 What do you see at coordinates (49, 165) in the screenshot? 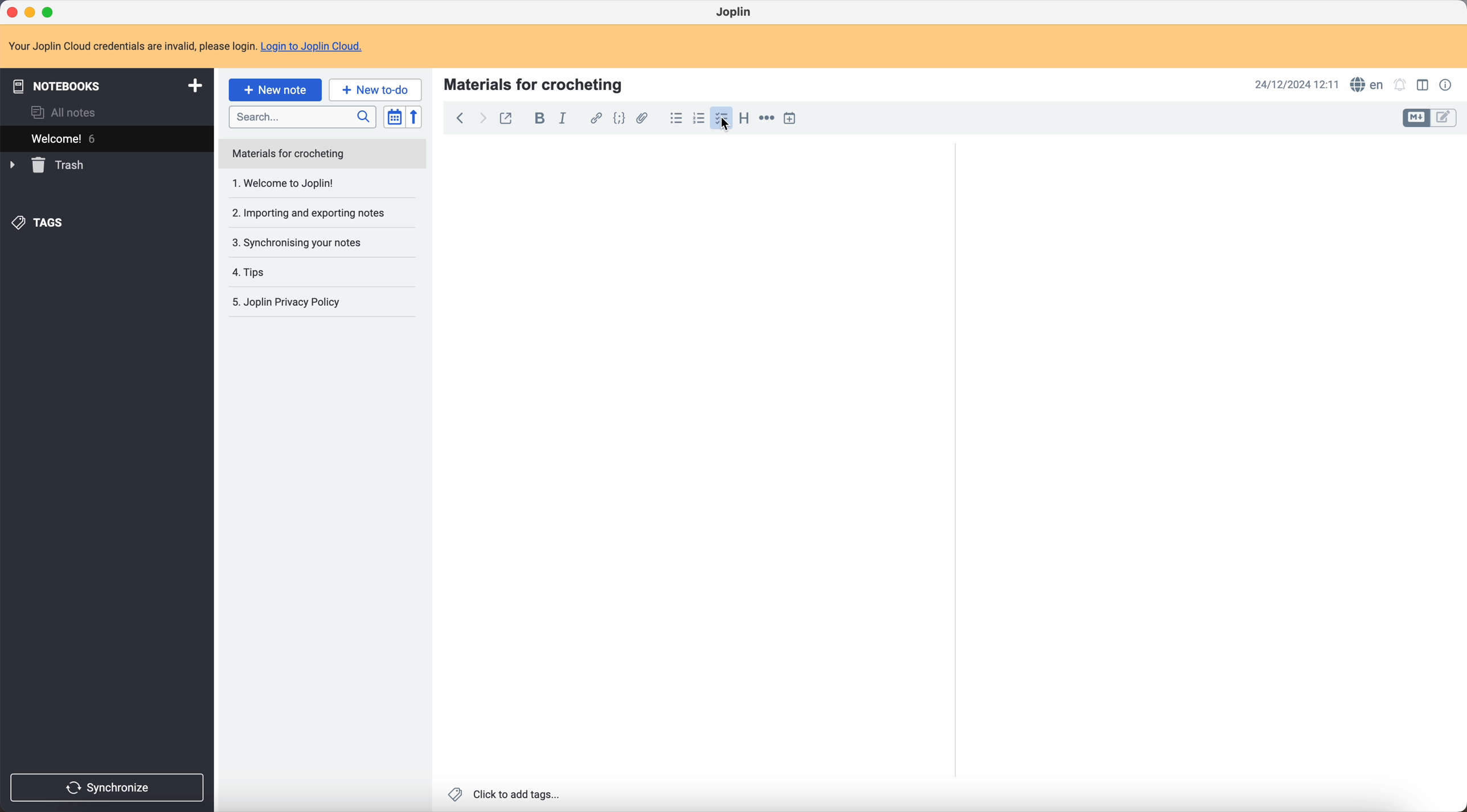
I see `trash` at bounding box center [49, 165].